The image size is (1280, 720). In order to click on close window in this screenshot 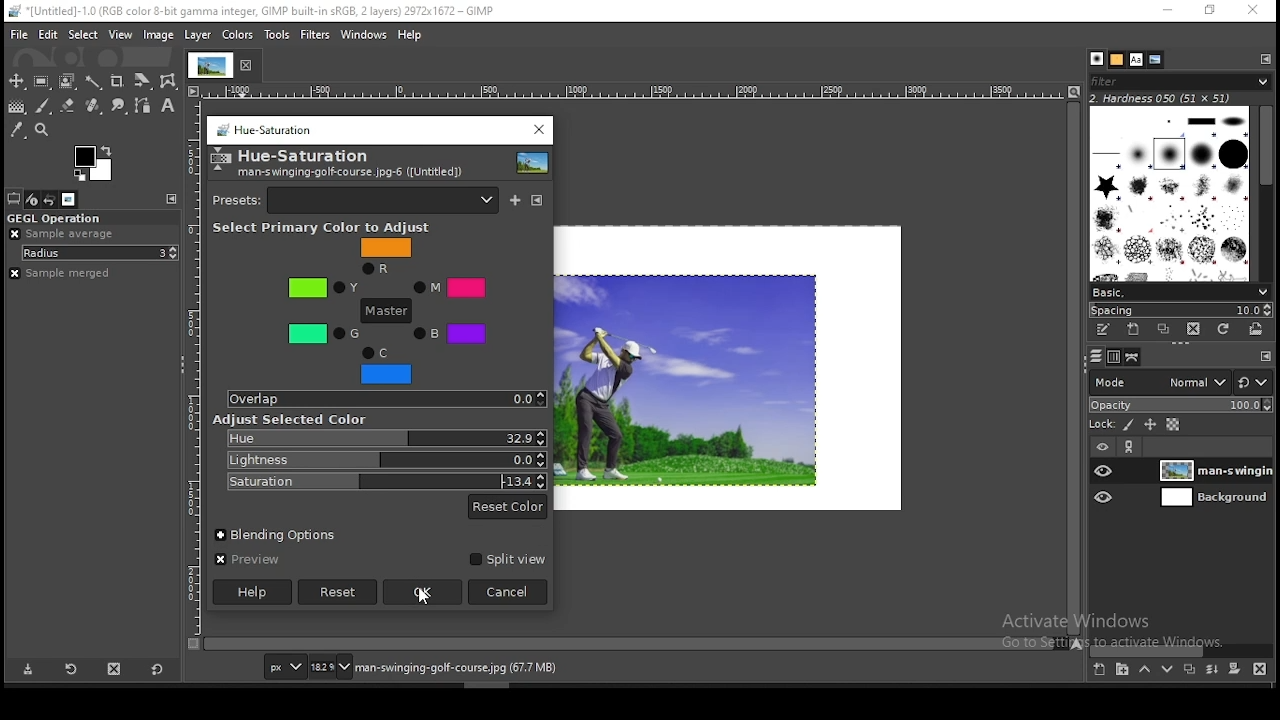, I will do `click(536, 131)`.